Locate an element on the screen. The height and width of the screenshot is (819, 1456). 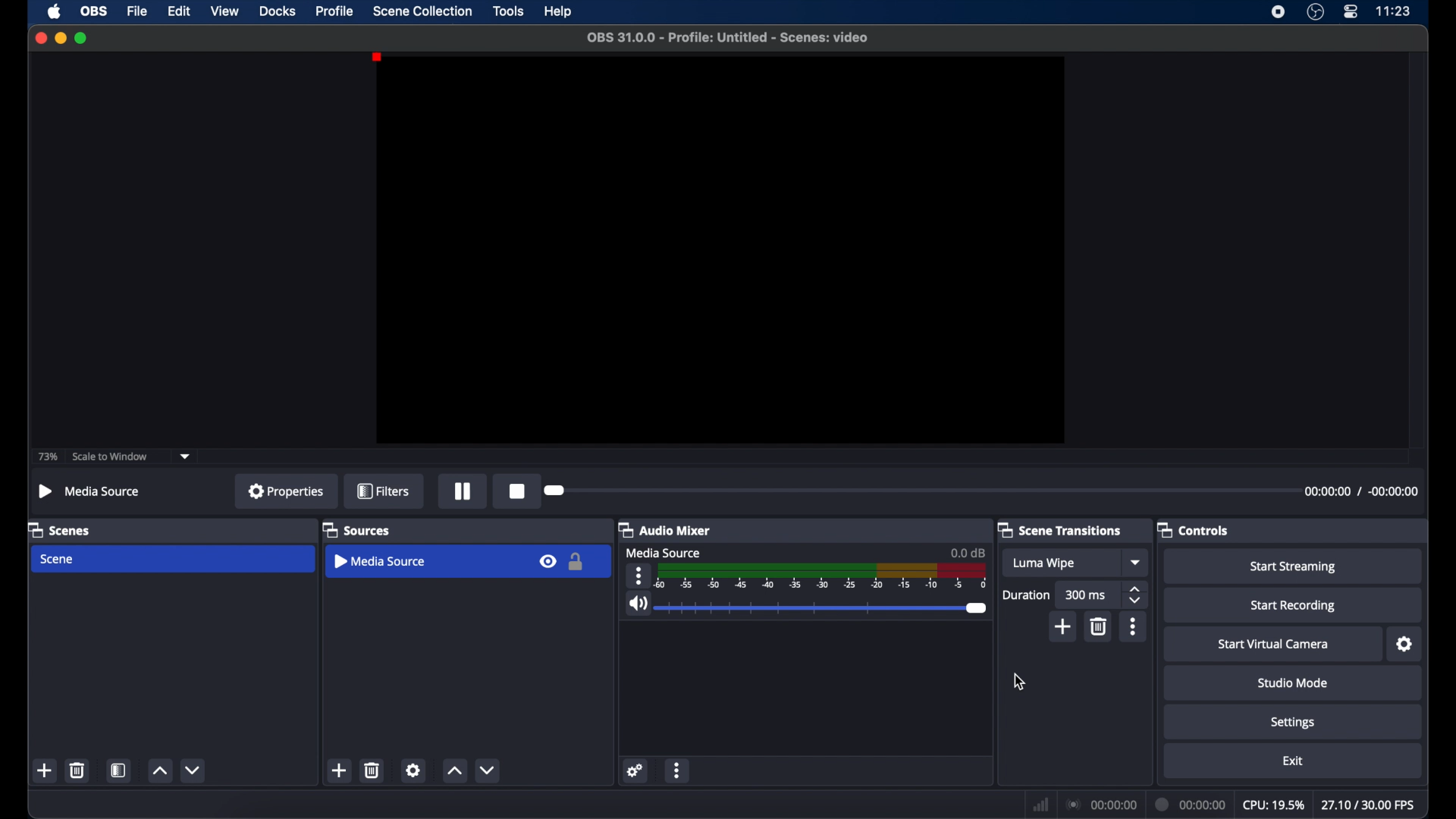
connection is located at coordinates (1103, 805).